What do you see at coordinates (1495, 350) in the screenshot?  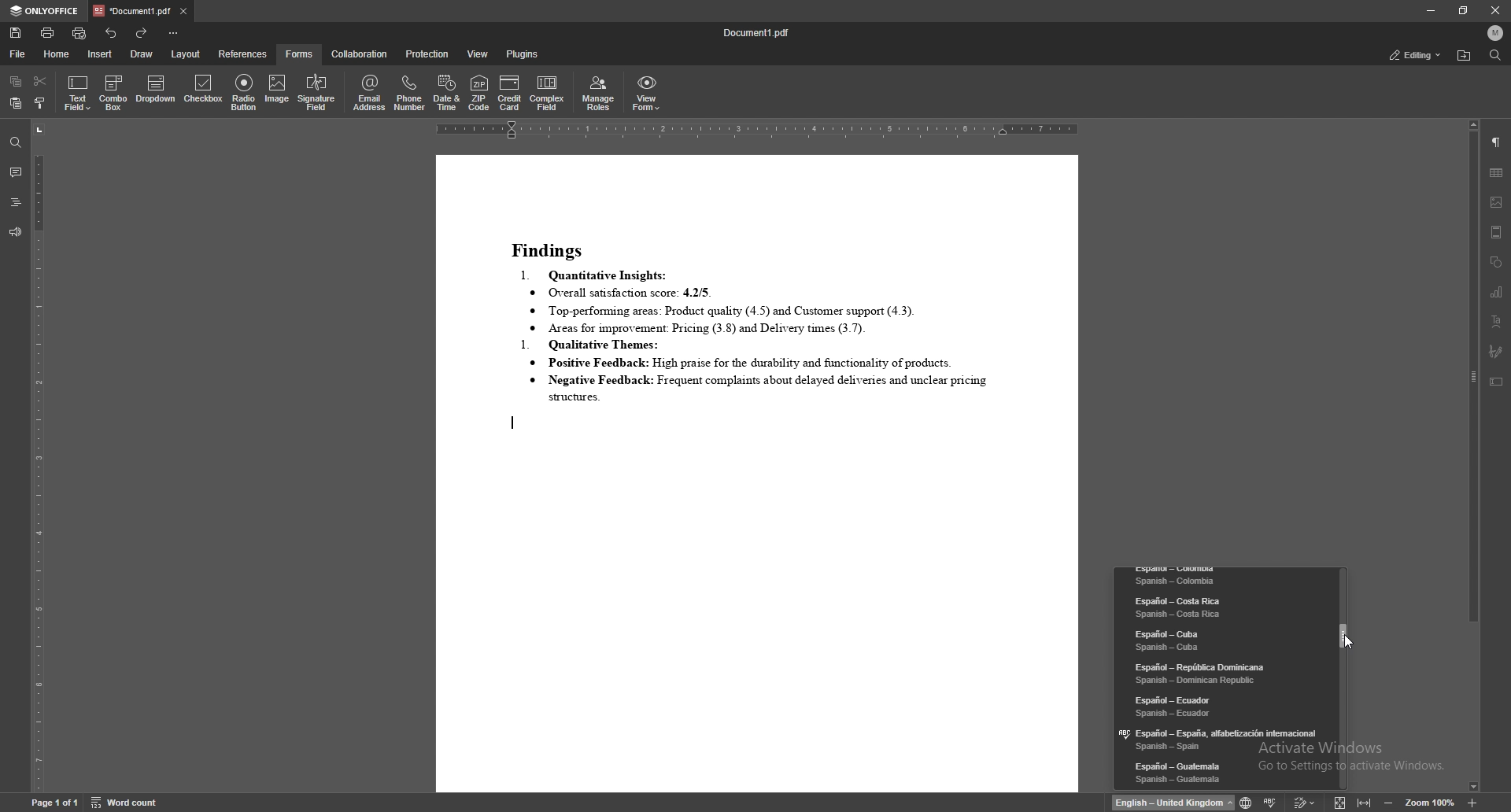 I see `signature field` at bounding box center [1495, 350].